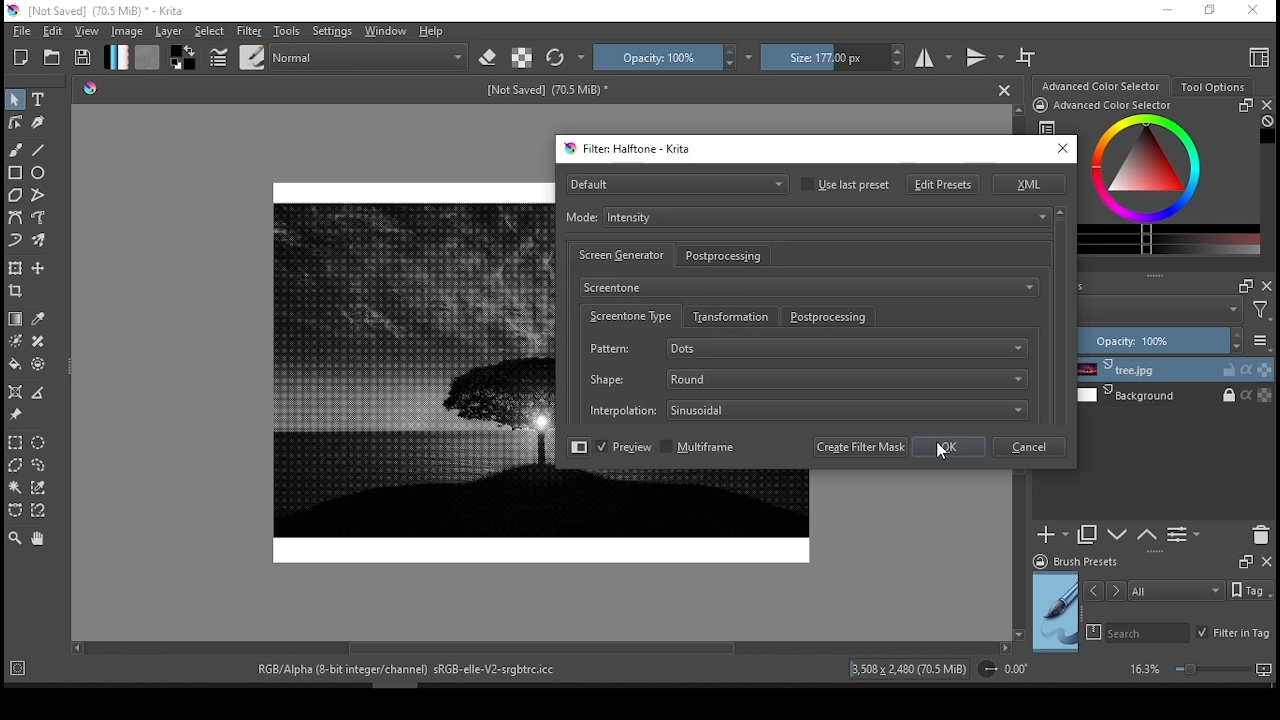  What do you see at coordinates (38, 538) in the screenshot?
I see `pan tool` at bounding box center [38, 538].